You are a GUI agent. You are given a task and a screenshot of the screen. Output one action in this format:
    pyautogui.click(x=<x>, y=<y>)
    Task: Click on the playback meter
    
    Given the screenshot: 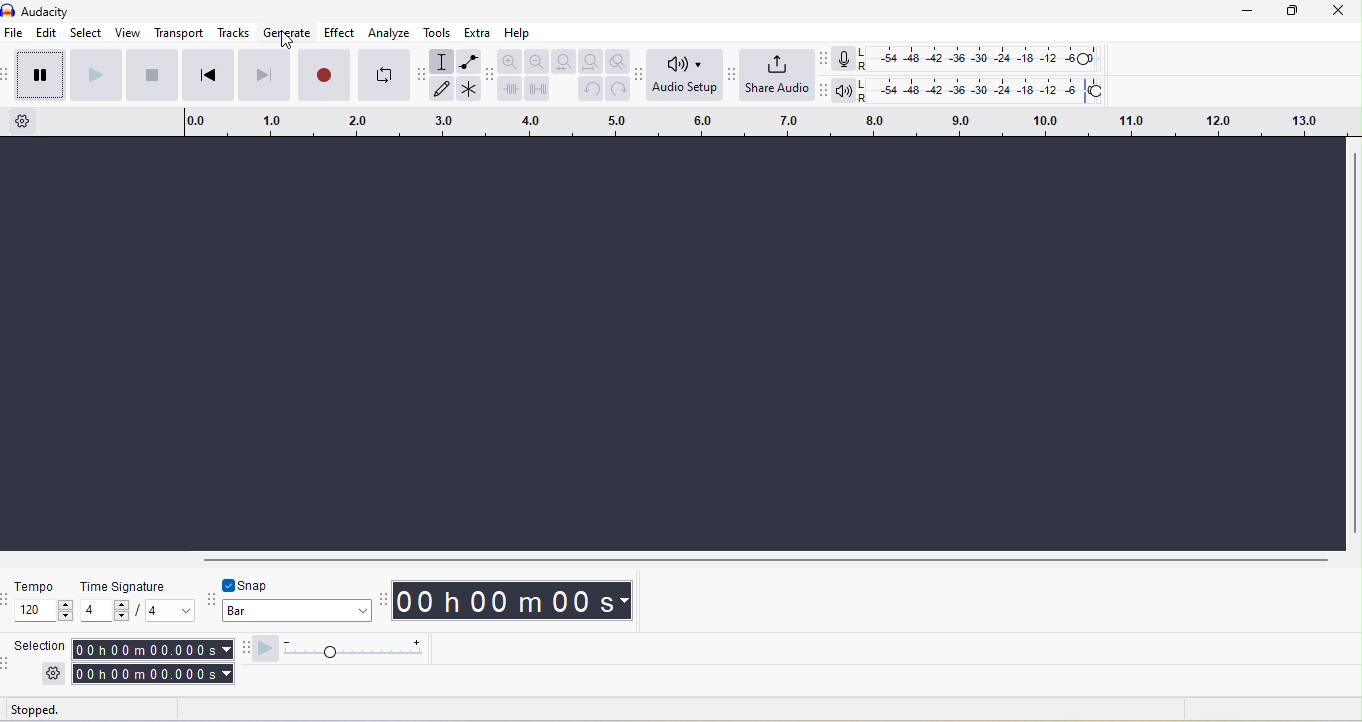 What is the action you would take?
    pyautogui.click(x=847, y=91)
    